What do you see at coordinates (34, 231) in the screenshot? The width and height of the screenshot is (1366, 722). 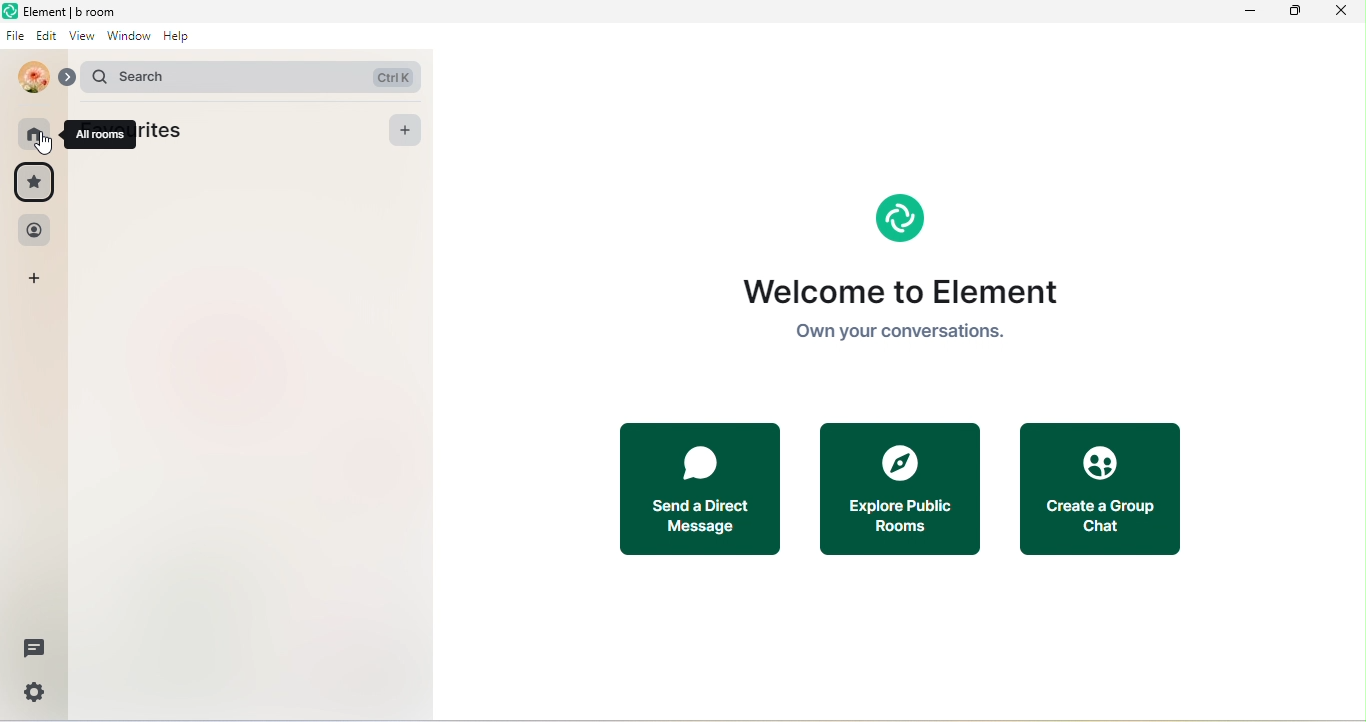 I see `people` at bounding box center [34, 231].